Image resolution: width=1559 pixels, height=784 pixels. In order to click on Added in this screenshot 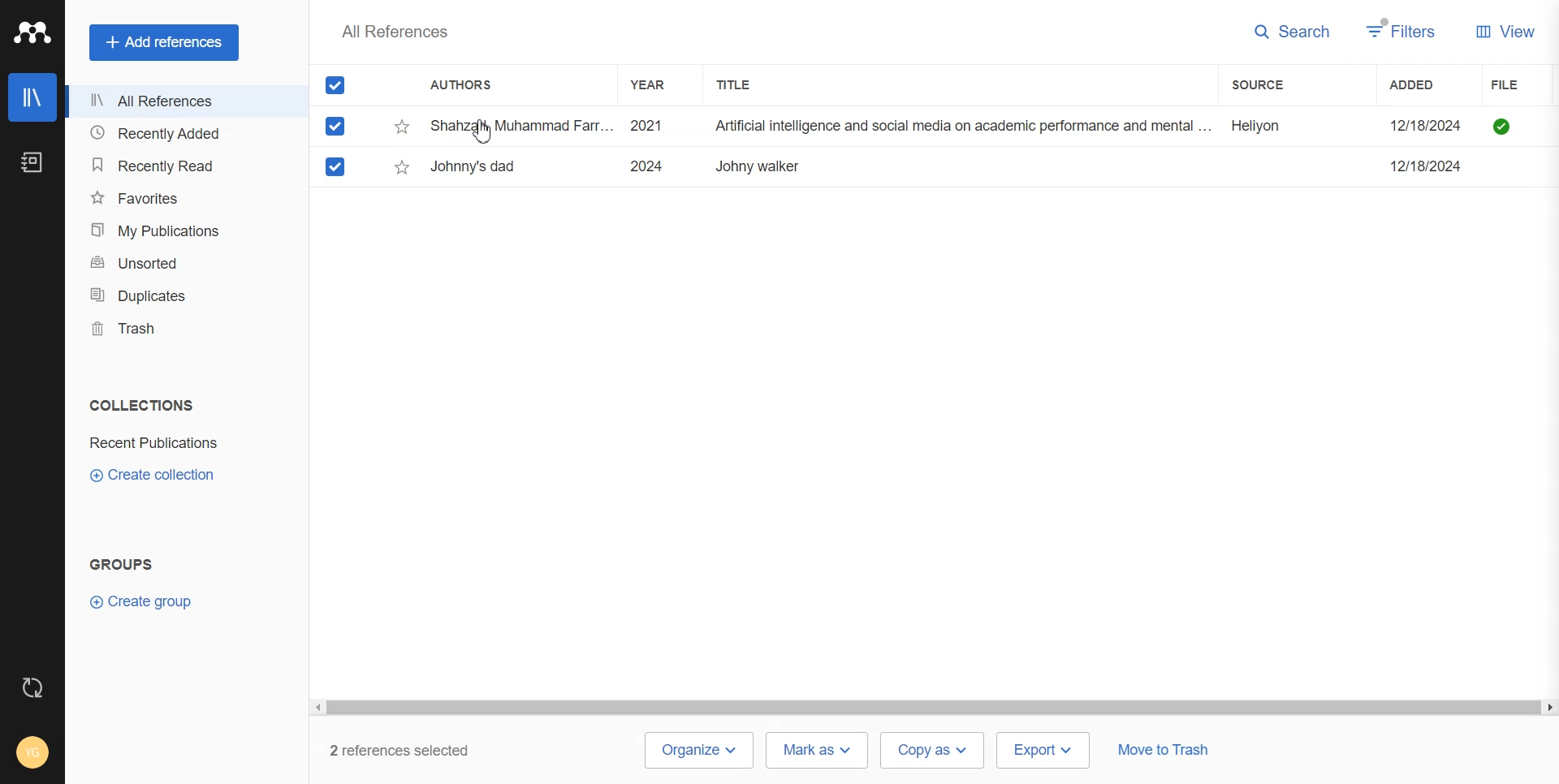, I will do `click(1428, 84)`.